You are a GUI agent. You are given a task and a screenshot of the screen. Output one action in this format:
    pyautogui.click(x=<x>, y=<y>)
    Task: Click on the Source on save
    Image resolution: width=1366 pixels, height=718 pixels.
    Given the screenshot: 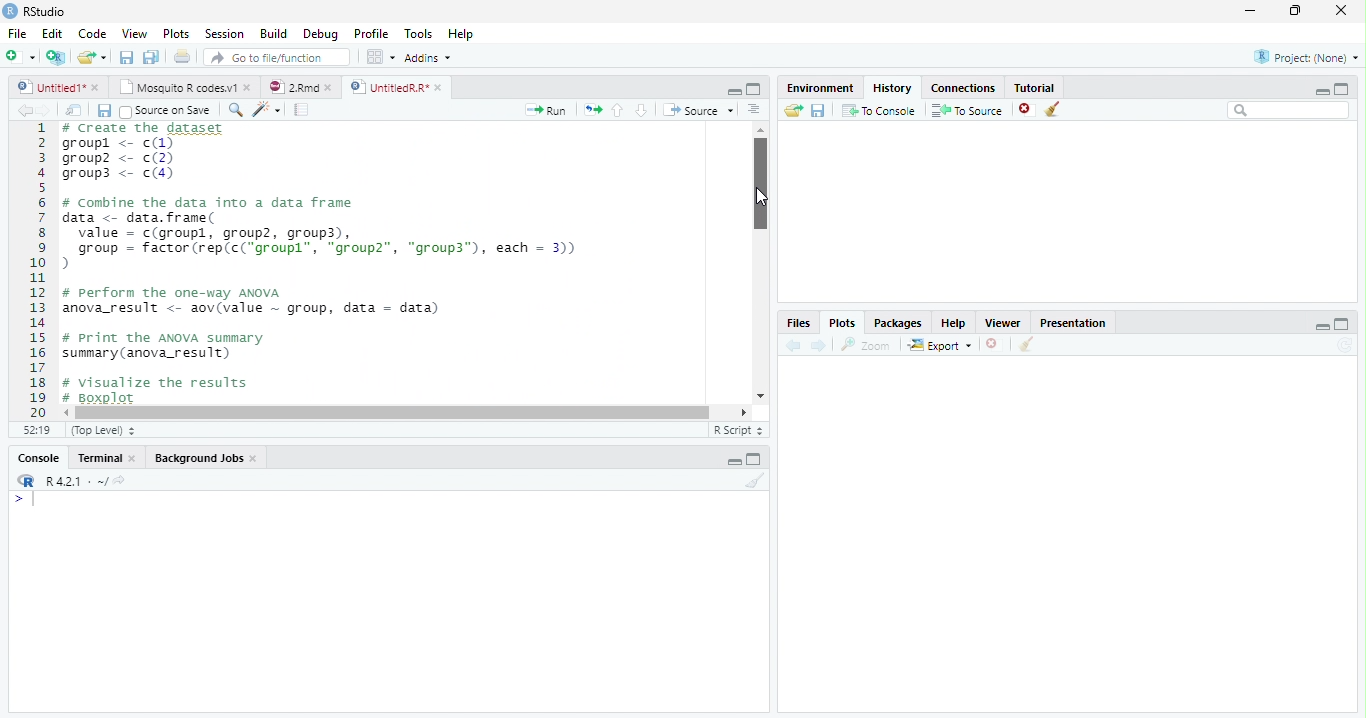 What is the action you would take?
    pyautogui.click(x=169, y=111)
    